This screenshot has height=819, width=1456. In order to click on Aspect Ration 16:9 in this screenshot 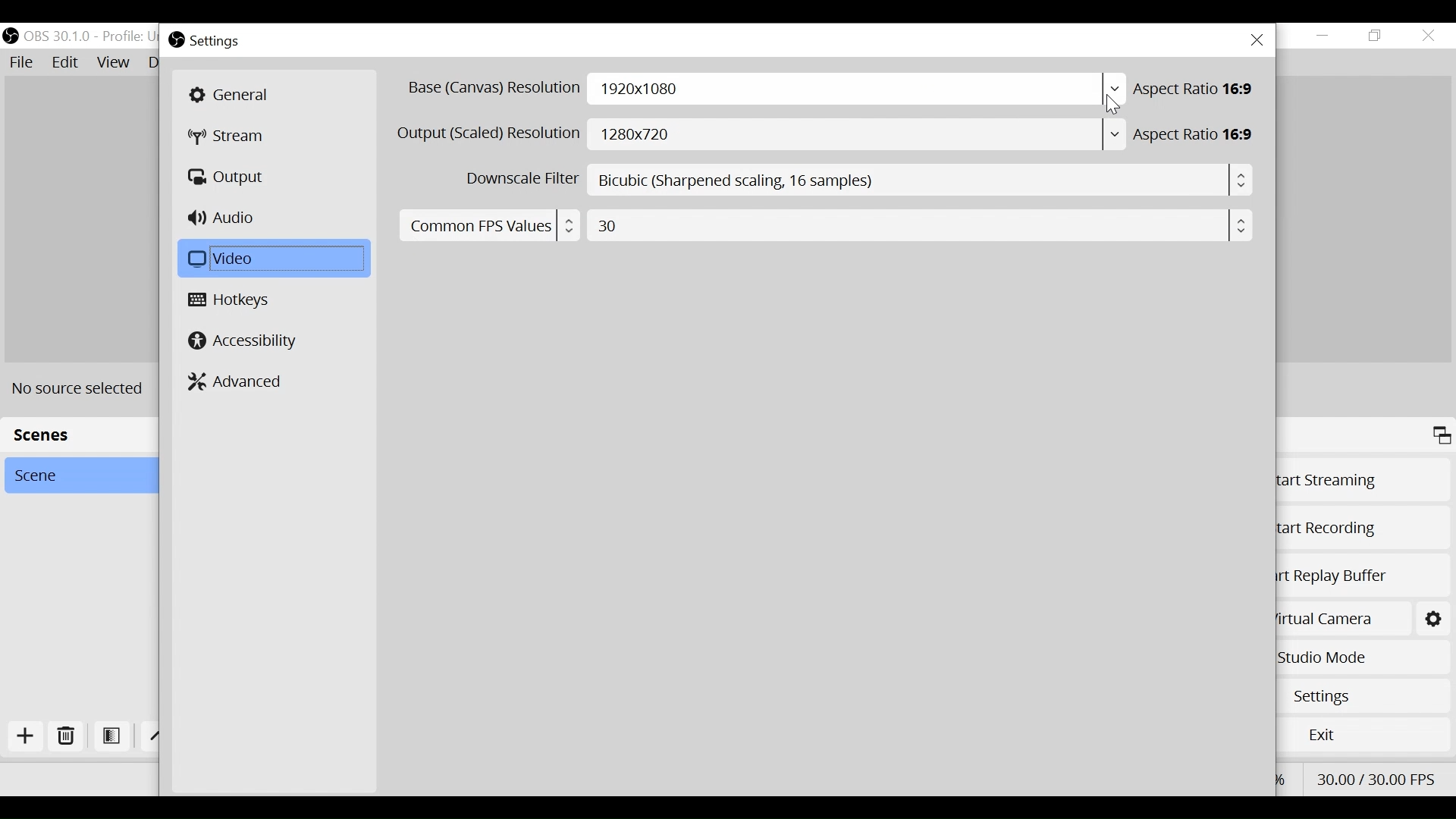, I will do `click(1198, 135)`.